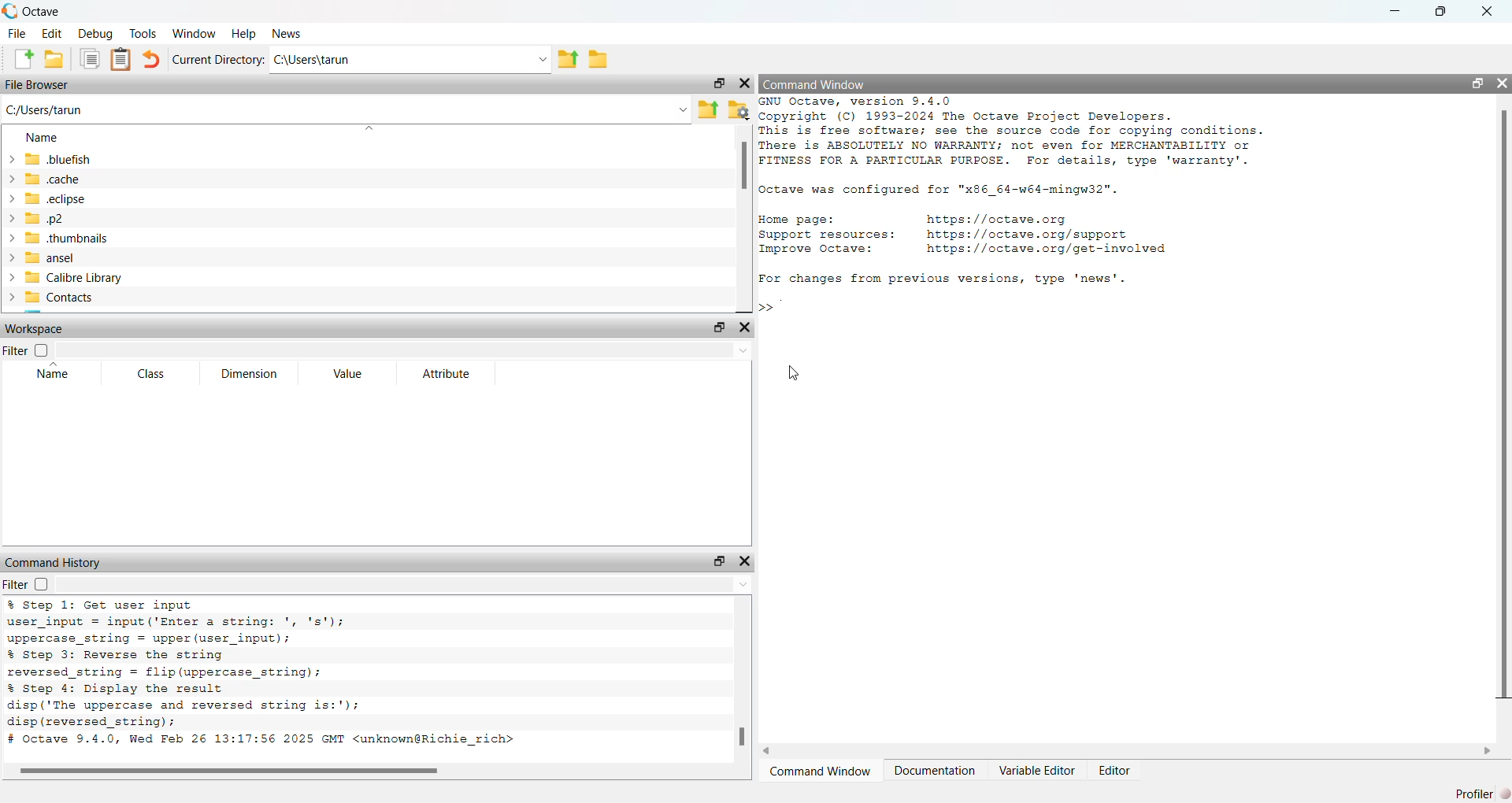 Image resolution: width=1512 pixels, height=803 pixels. What do you see at coordinates (985, 231) in the screenshot?
I see `resources of octave` at bounding box center [985, 231].